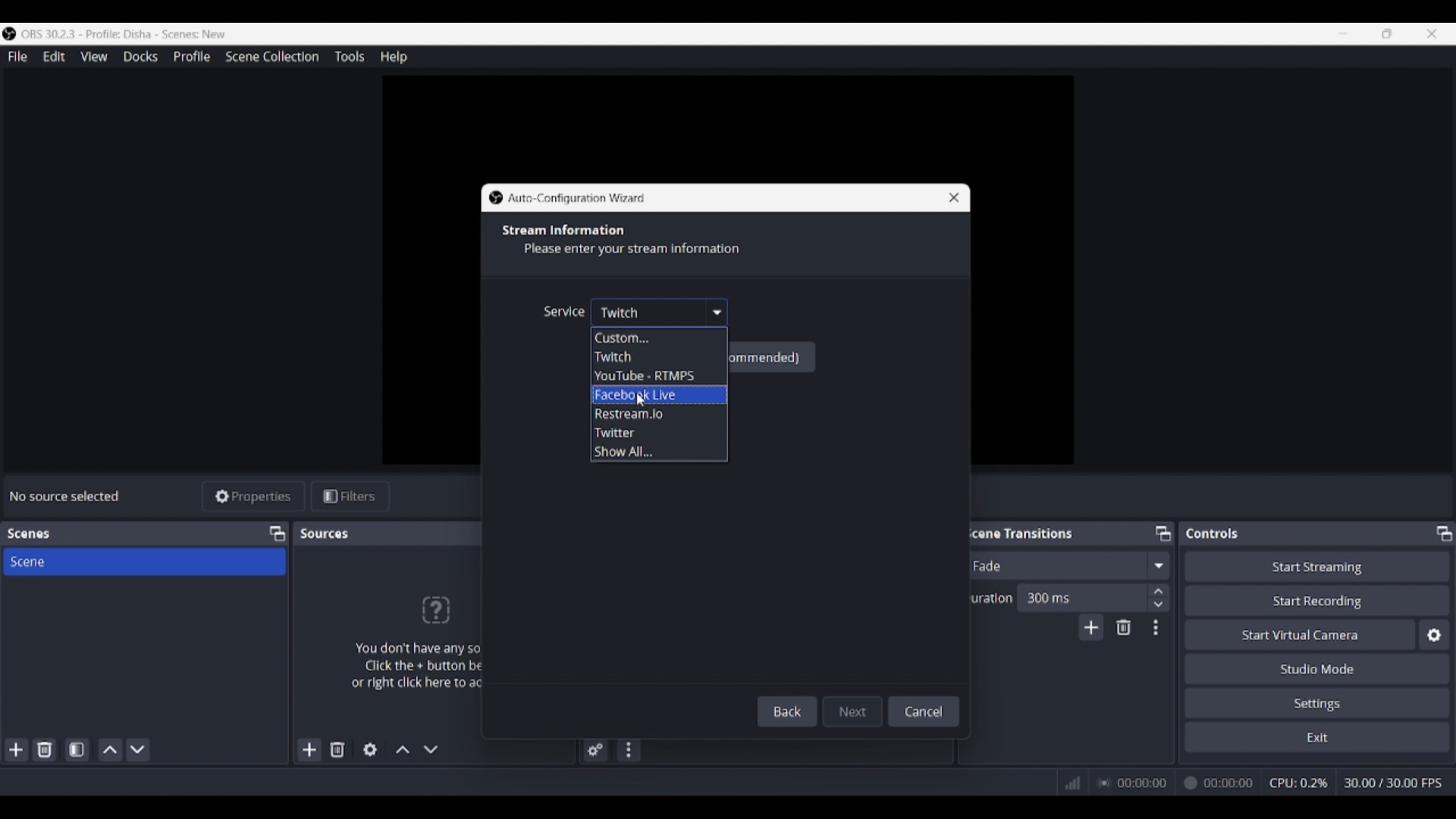 This screenshot has height=819, width=1456. What do you see at coordinates (277, 534) in the screenshot?
I see `Float scenes` at bounding box center [277, 534].